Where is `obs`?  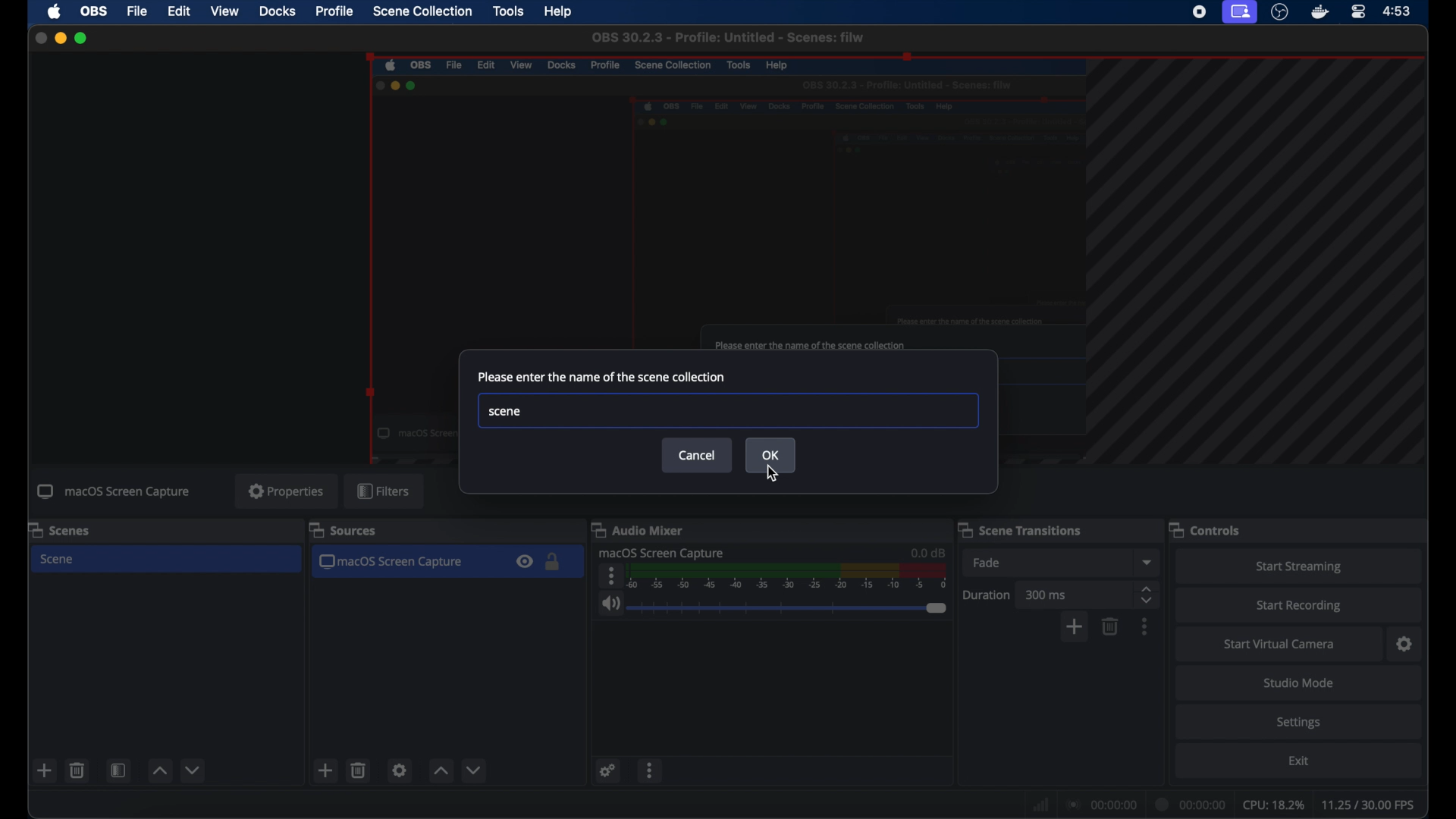
obs is located at coordinates (94, 11).